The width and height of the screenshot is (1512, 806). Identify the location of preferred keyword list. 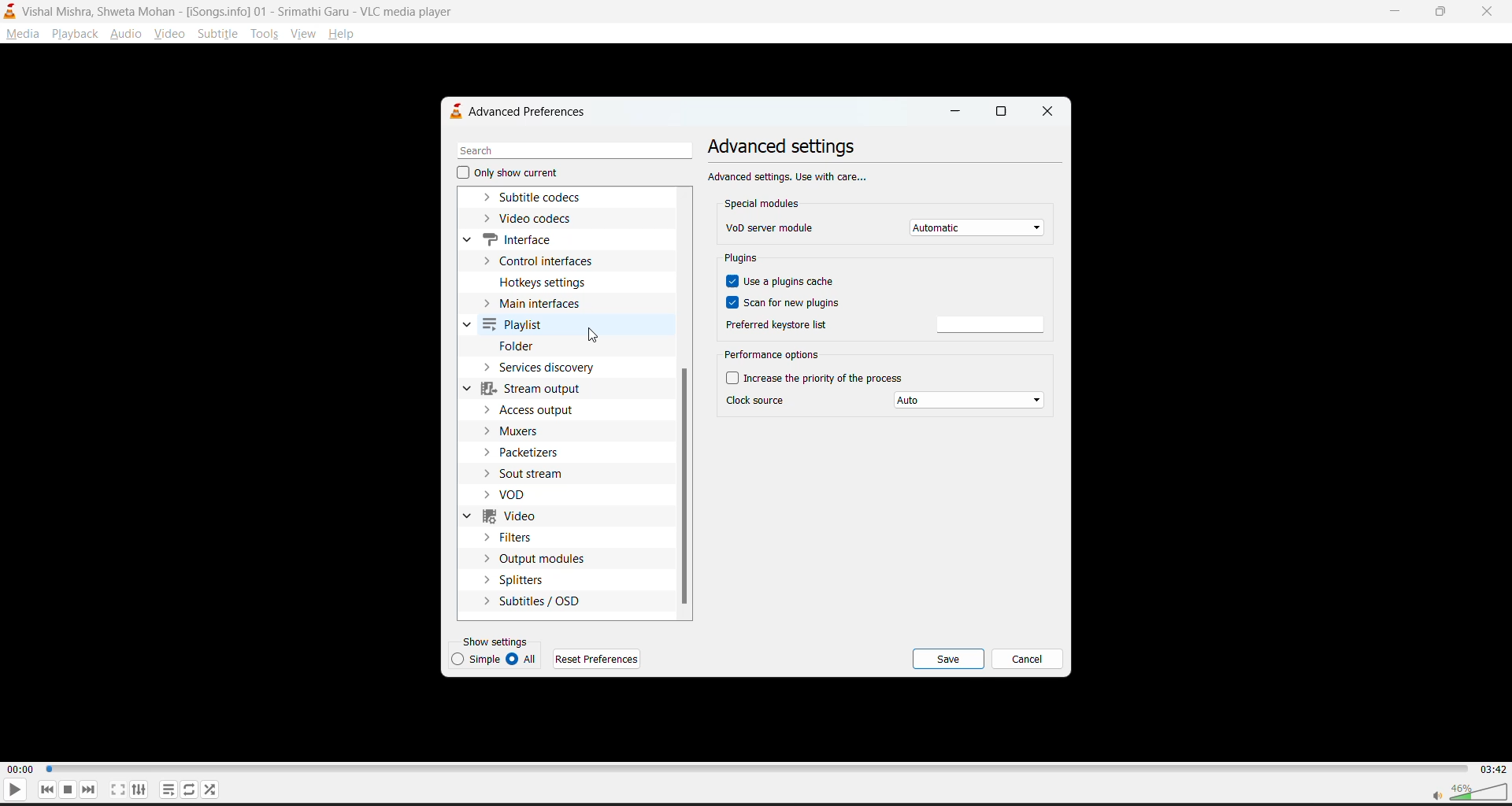
(994, 325).